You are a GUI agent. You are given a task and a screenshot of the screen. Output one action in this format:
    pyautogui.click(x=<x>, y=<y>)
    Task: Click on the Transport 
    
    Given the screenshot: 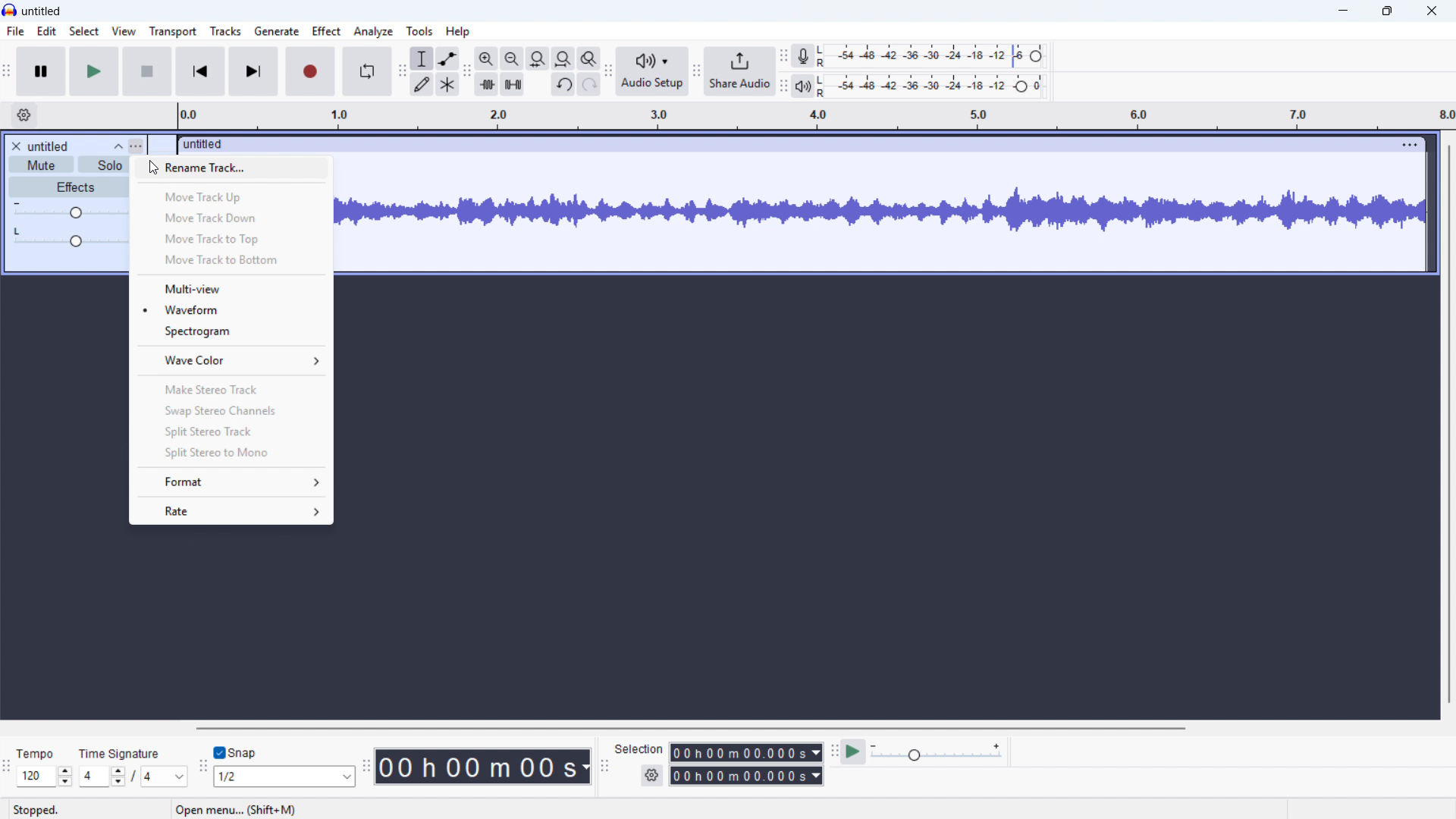 What is the action you would take?
    pyautogui.click(x=172, y=32)
    